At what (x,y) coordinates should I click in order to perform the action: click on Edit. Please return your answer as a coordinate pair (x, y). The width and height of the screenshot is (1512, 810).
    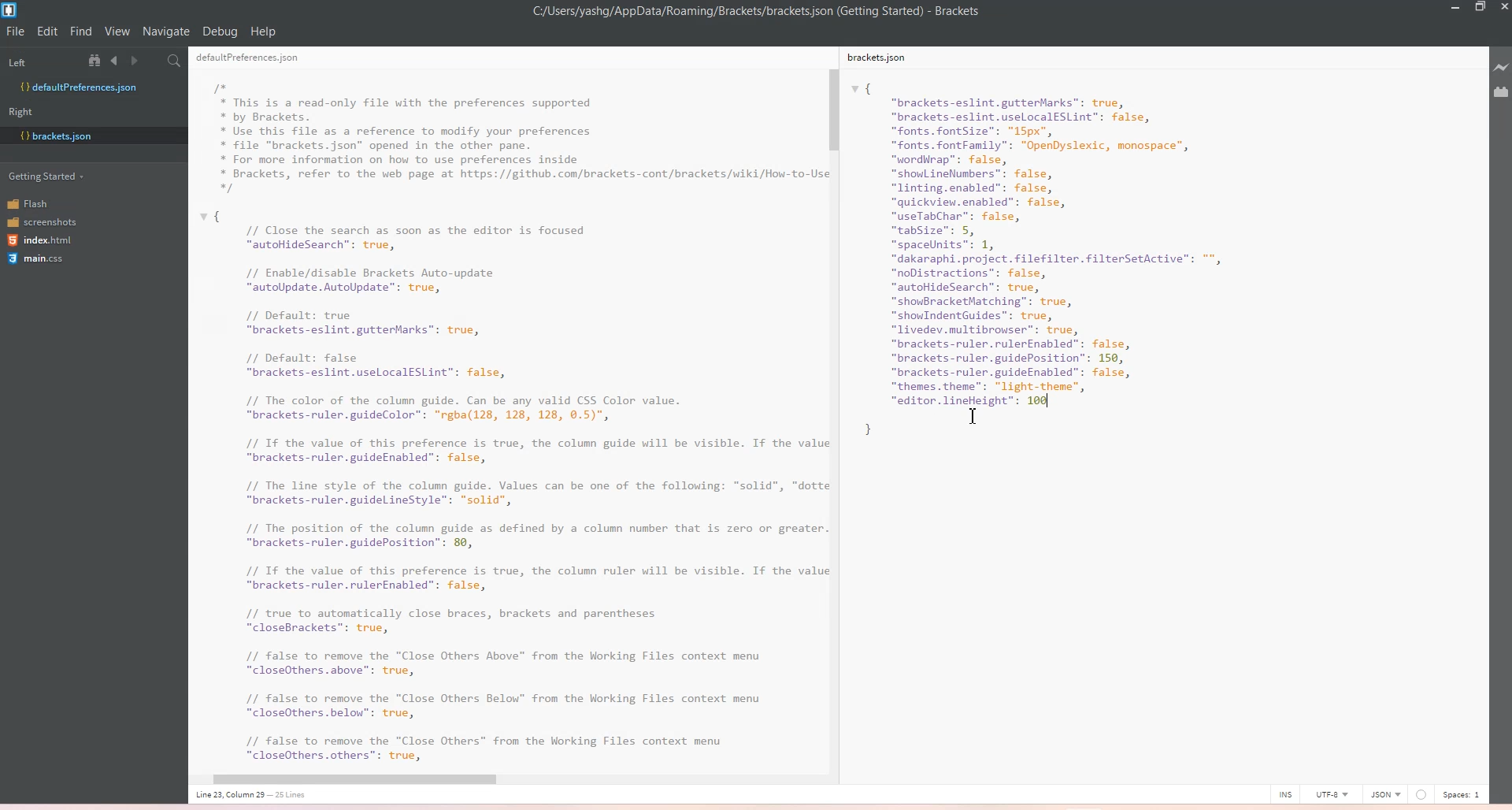
    Looking at the image, I should click on (49, 32).